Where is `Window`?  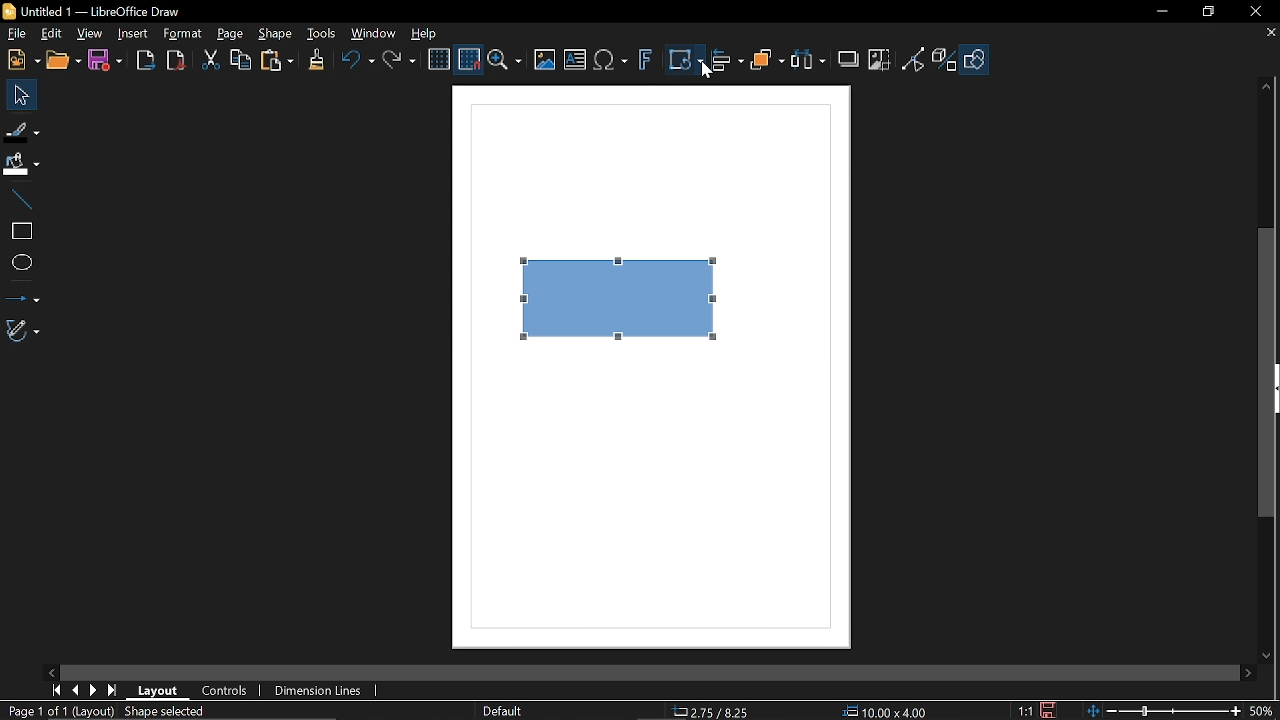
Window is located at coordinates (370, 35).